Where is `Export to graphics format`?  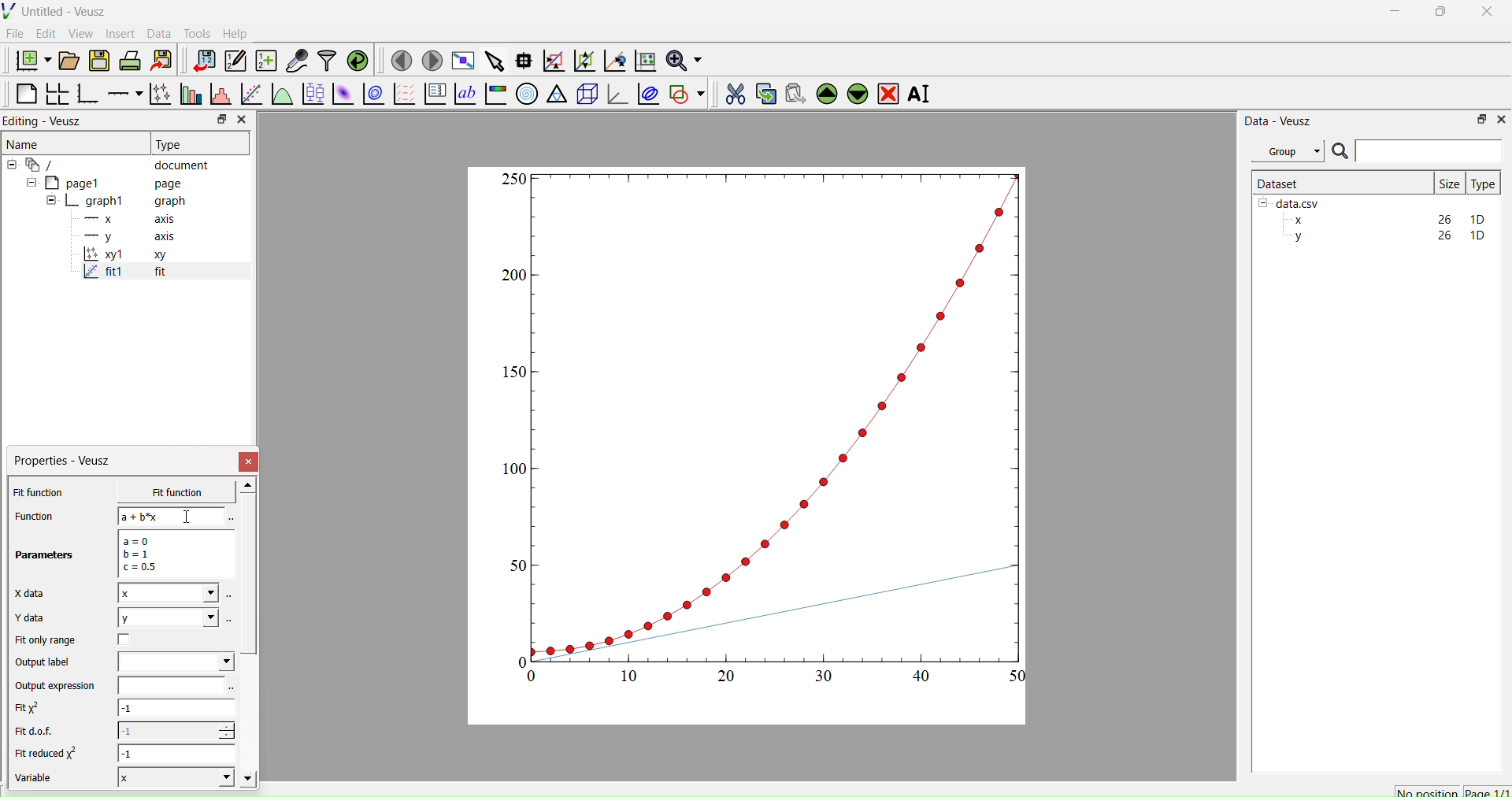
Export to graphics format is located at coordinates (161, 61).